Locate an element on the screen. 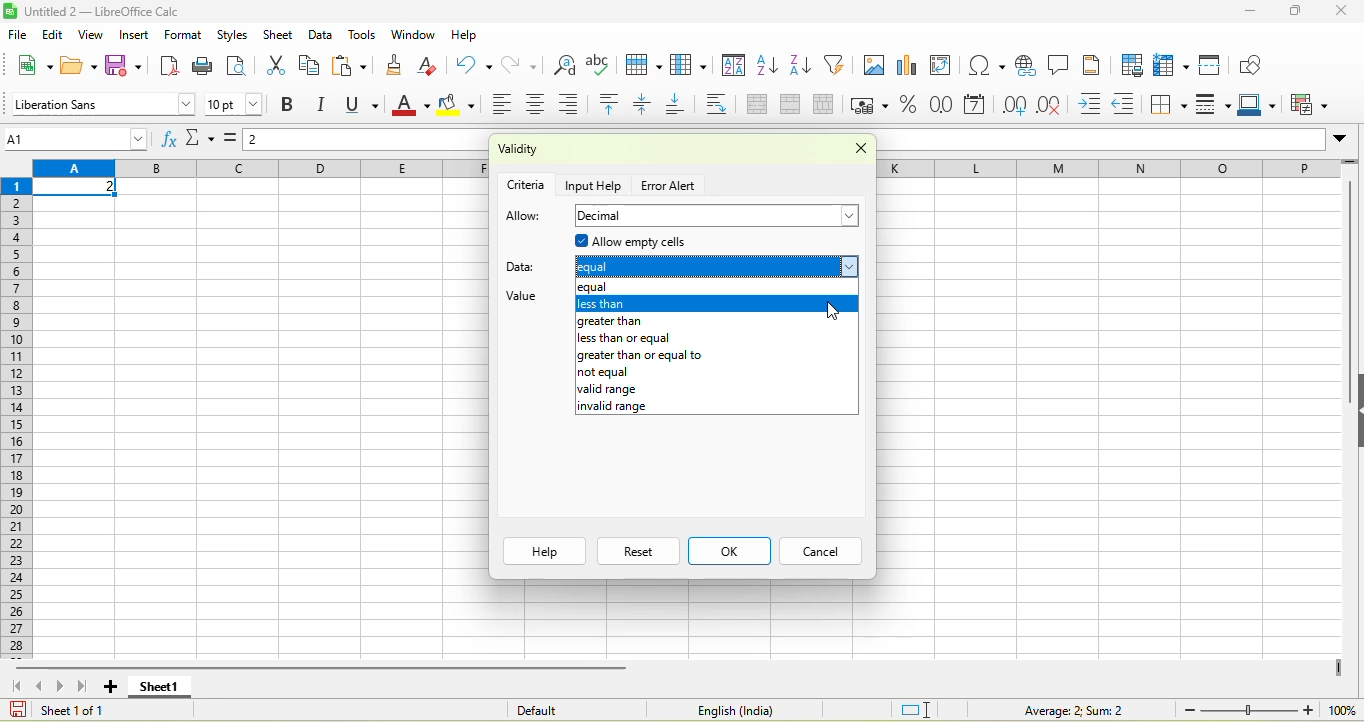 The height and width of the screenshot is (722, 1364). insert is located at coordinates (135, 35).